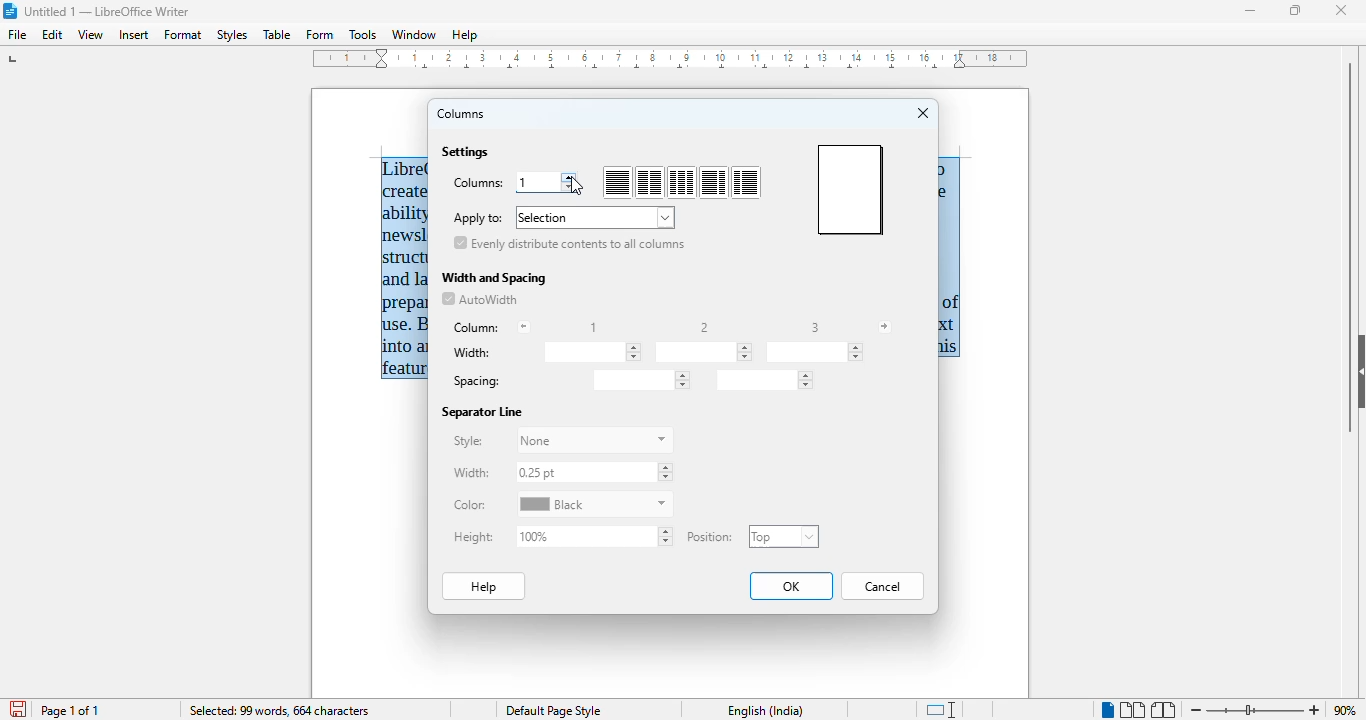 This screenshot has height=720, width=1366. Describe the element at coordinates (414, 35) in the screenshot. I see `window` at that location.